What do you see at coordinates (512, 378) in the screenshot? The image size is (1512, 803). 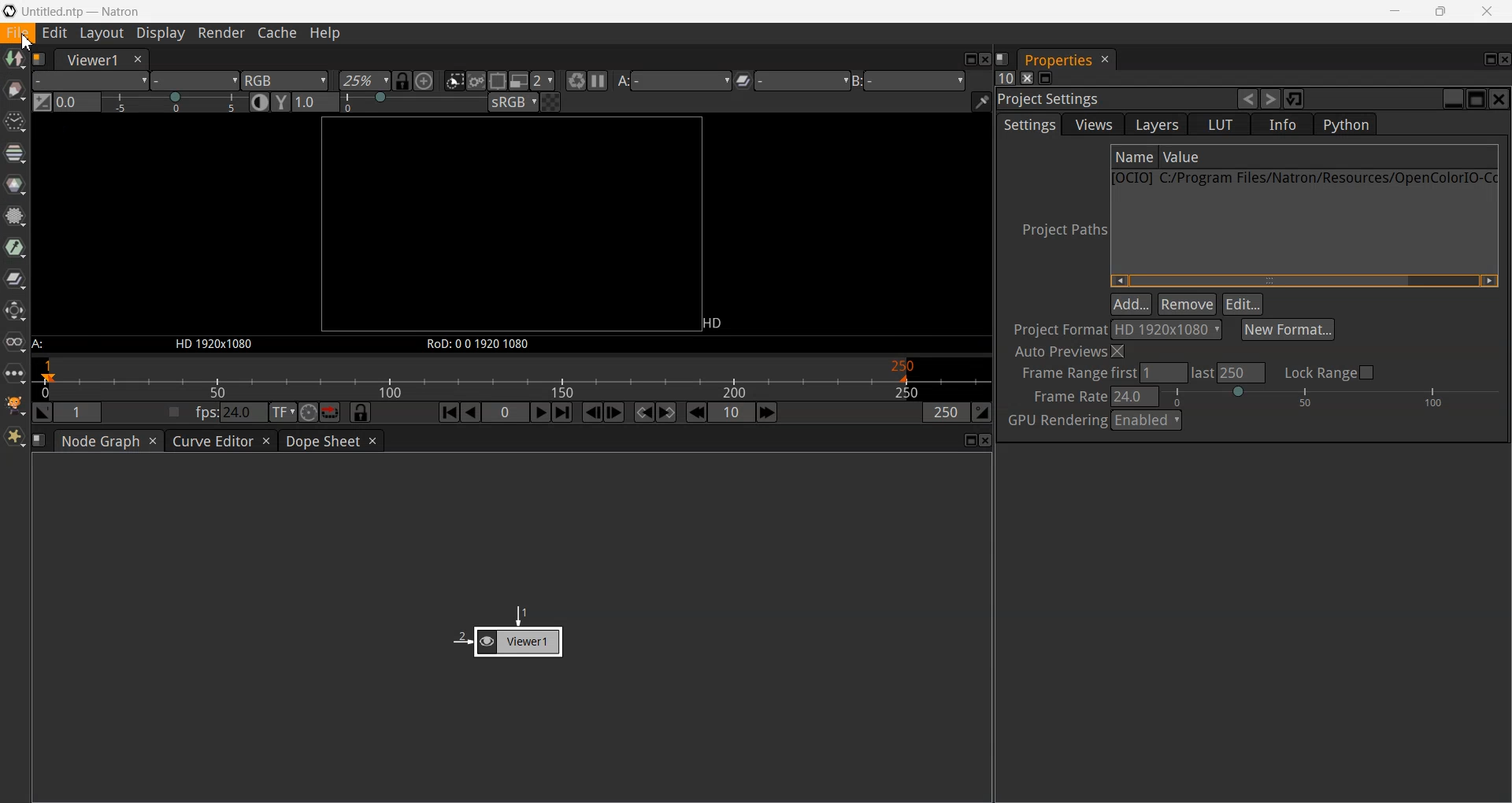 I see `Timeline` at bounding box center [512, 378].